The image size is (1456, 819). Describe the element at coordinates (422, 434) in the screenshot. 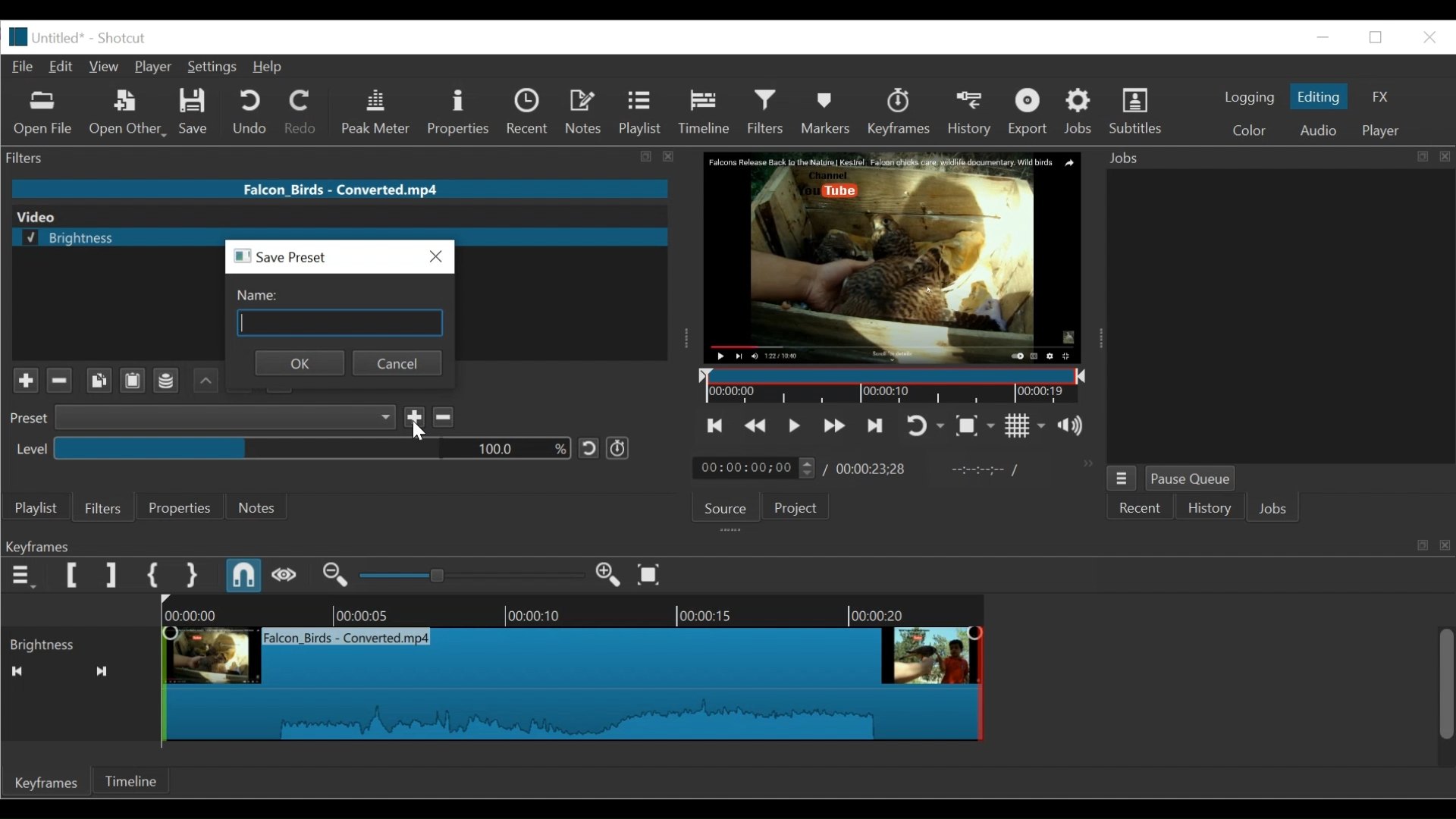

I see `Cursor` at that location.